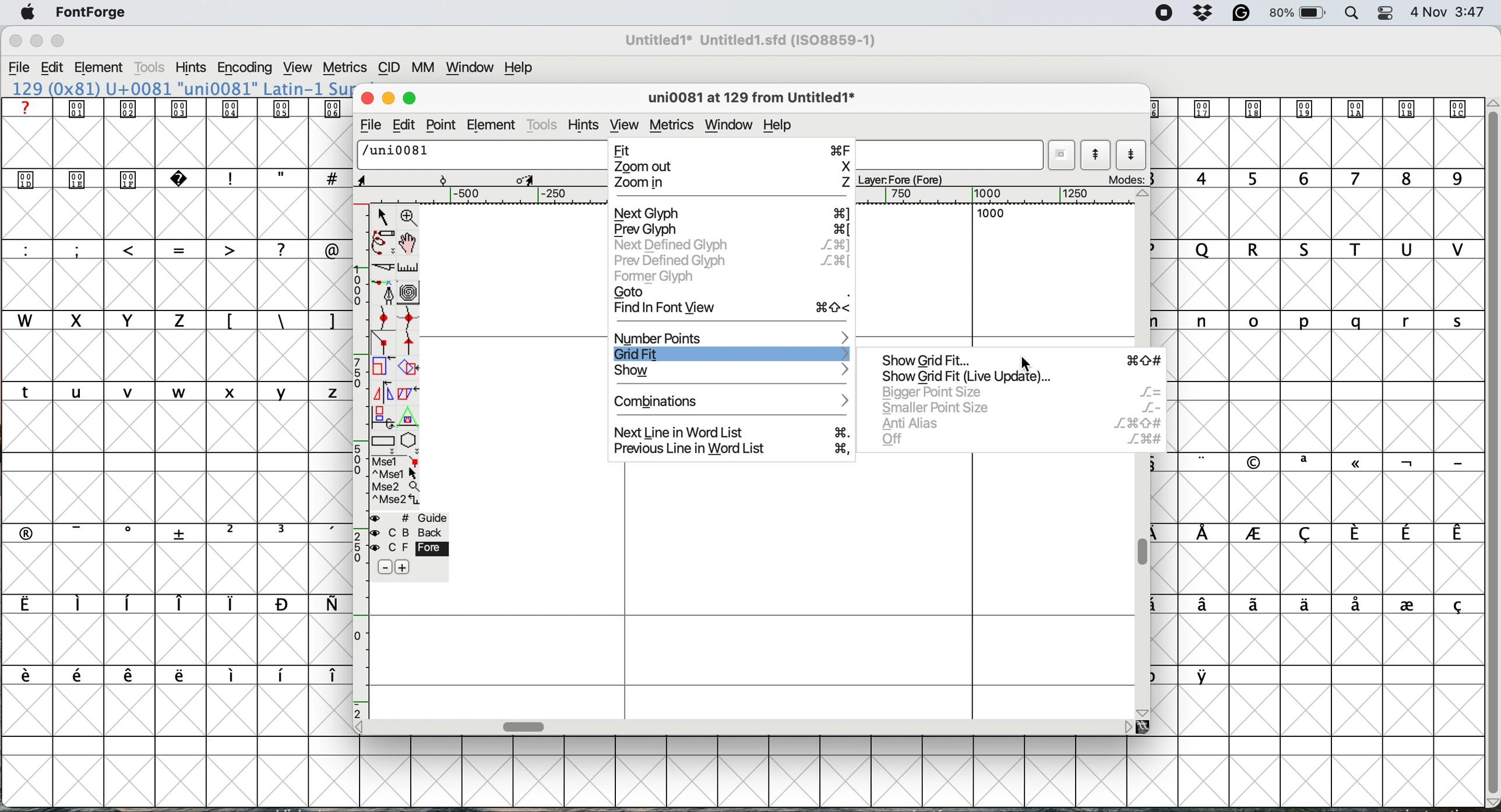 This screenshot has height=812, width=1501. Describe the element at coordinates (444, 180) in the screenshot. I see `Rotate Point Tool` at that location.